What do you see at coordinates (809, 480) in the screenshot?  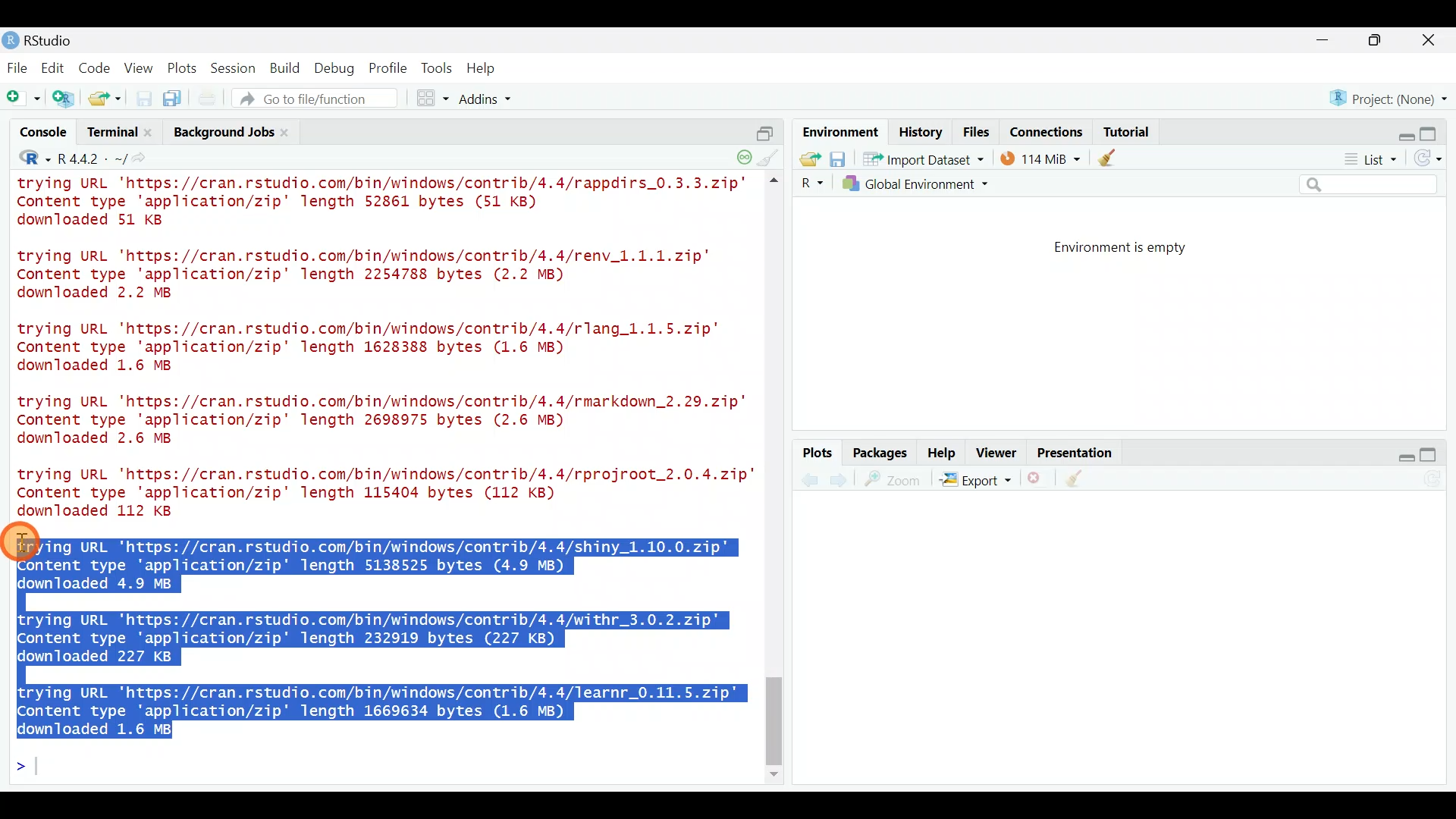 I see `next plot` at bounding box center [809, 480].